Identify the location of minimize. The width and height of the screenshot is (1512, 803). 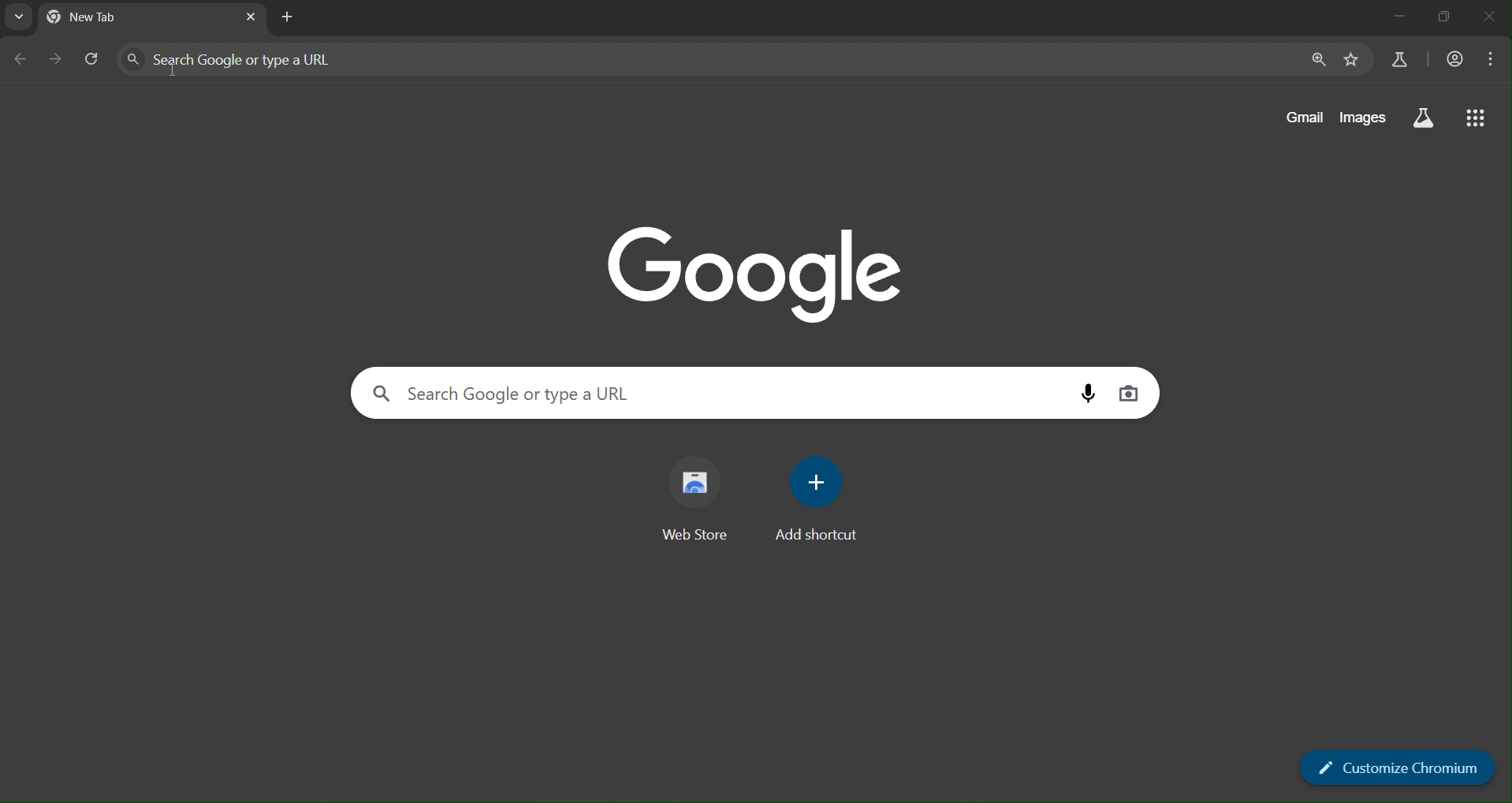
(1401, 17).